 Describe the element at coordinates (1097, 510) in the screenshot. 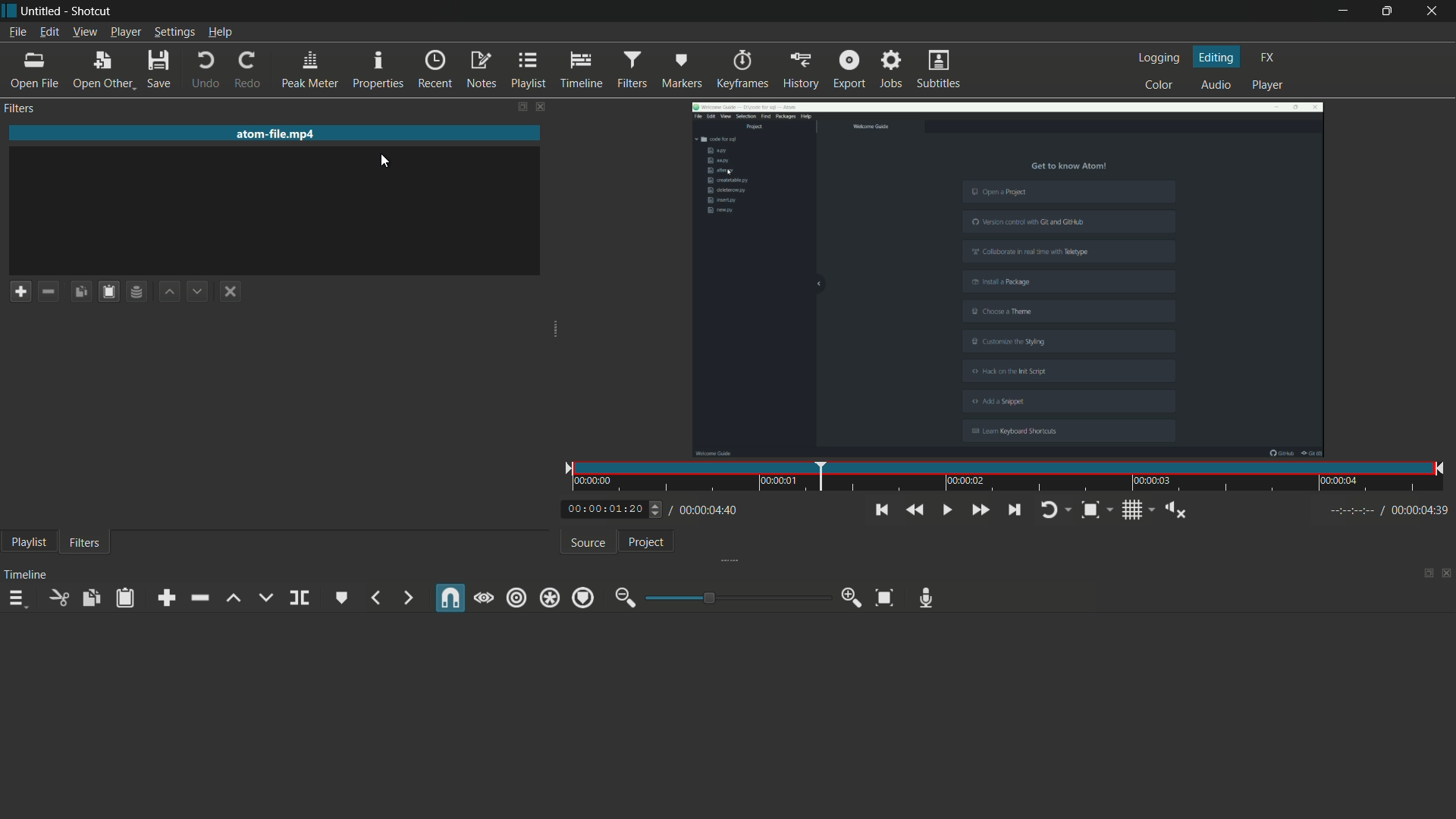

I see `toggle zoom` at that location.